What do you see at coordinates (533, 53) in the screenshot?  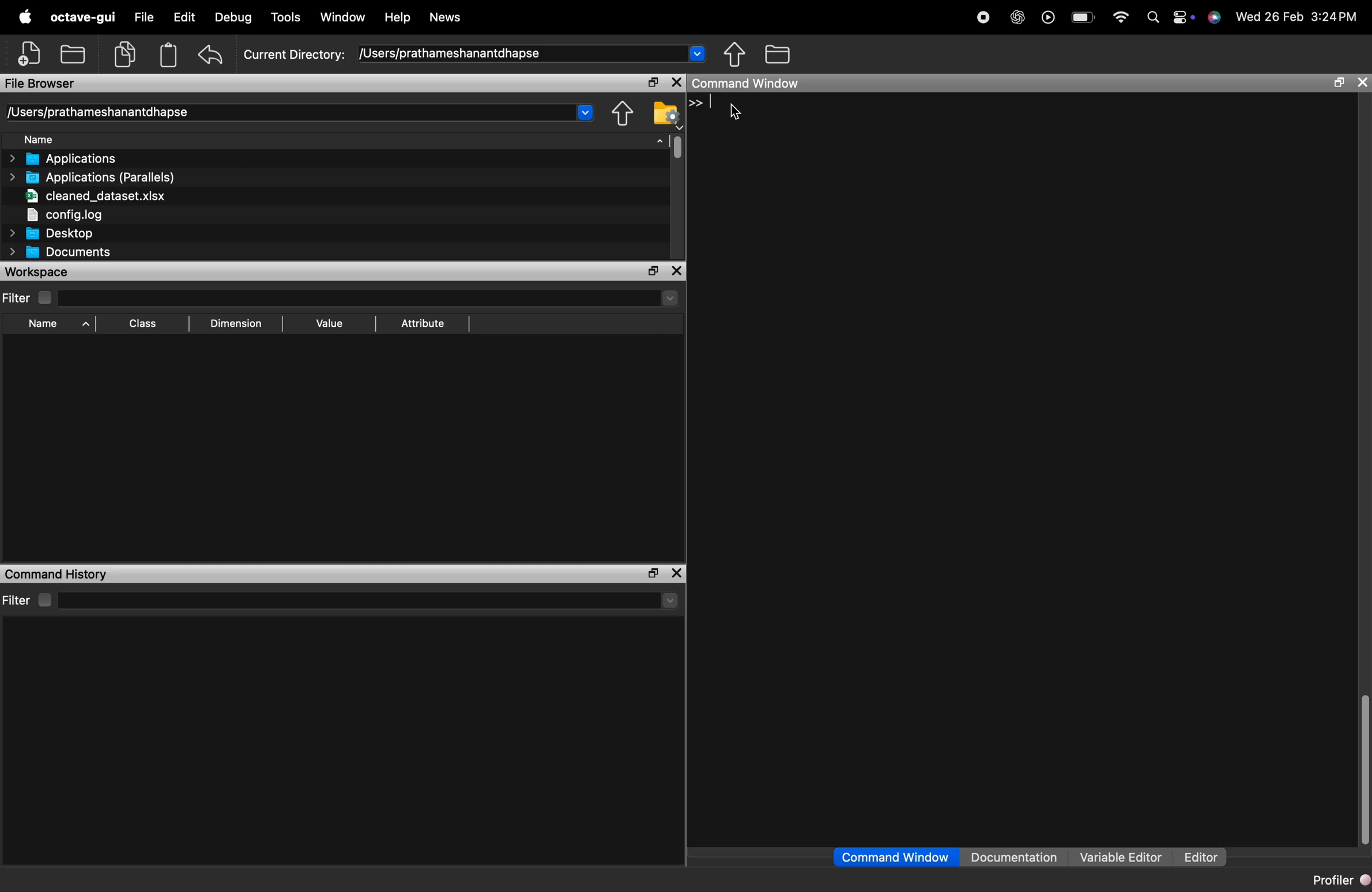 I see `Users/prathameshanantdhapse ` at bounding box center [533, 53].